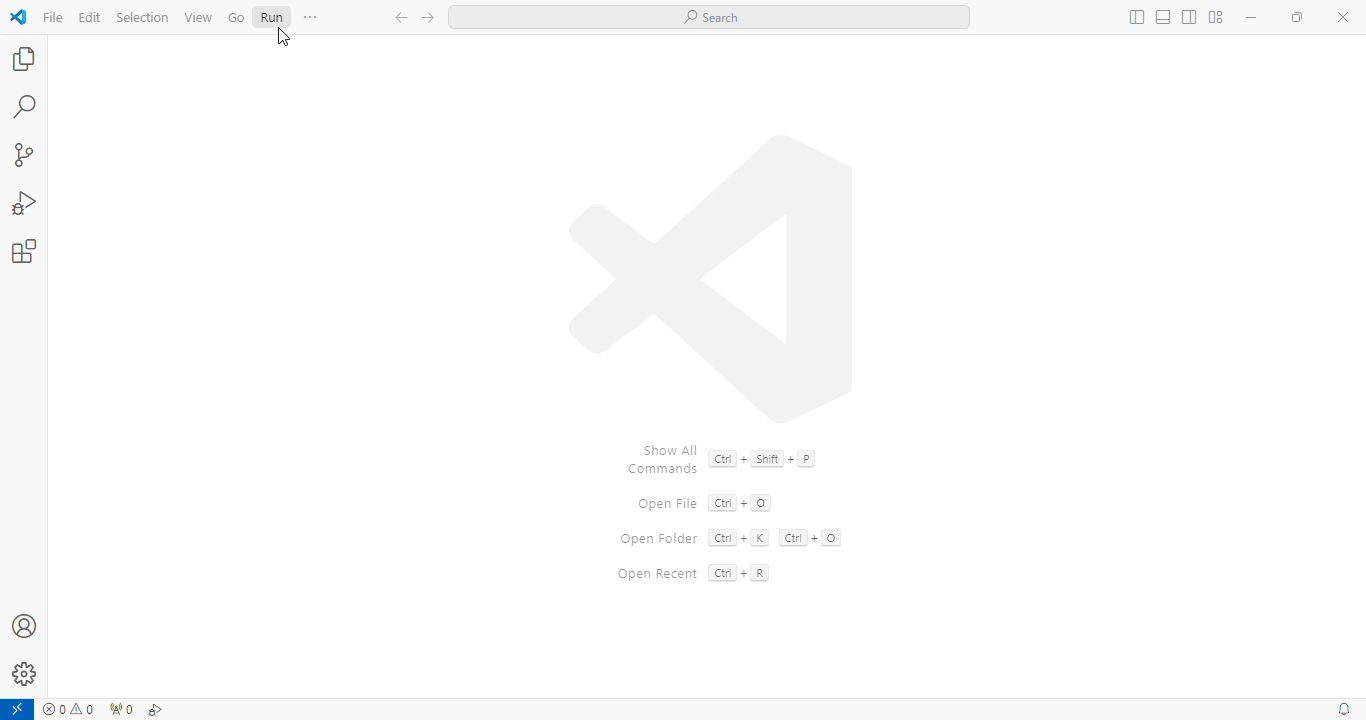 The image size is (1366, 720). What do you see at coordinates (762, 458) in the screenshot?
I see `ctrl+shift+P` at bounding box center [762, 458].